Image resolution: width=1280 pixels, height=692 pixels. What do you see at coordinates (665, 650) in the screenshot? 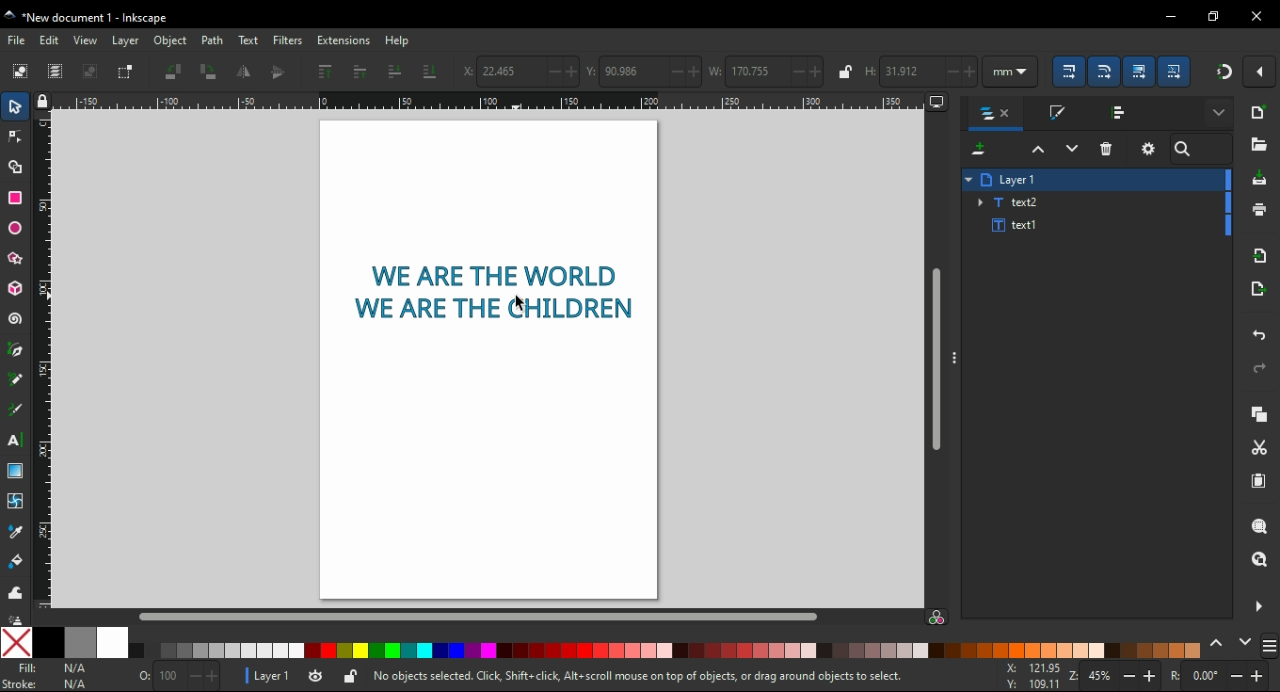
I see `color options` at bounding box center [665, 650].